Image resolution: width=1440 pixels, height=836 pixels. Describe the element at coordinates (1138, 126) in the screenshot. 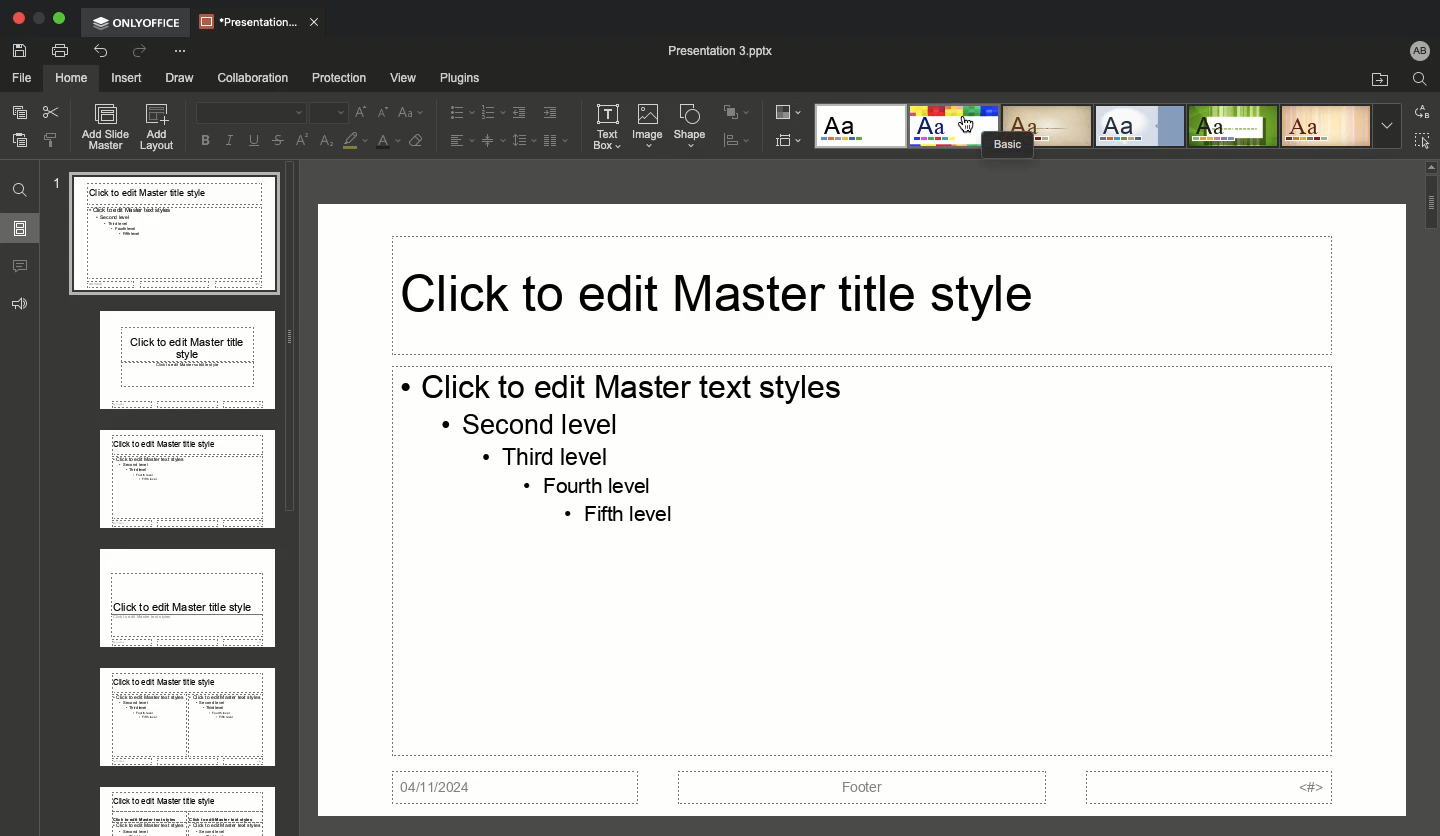

I see `Official style` at that location.